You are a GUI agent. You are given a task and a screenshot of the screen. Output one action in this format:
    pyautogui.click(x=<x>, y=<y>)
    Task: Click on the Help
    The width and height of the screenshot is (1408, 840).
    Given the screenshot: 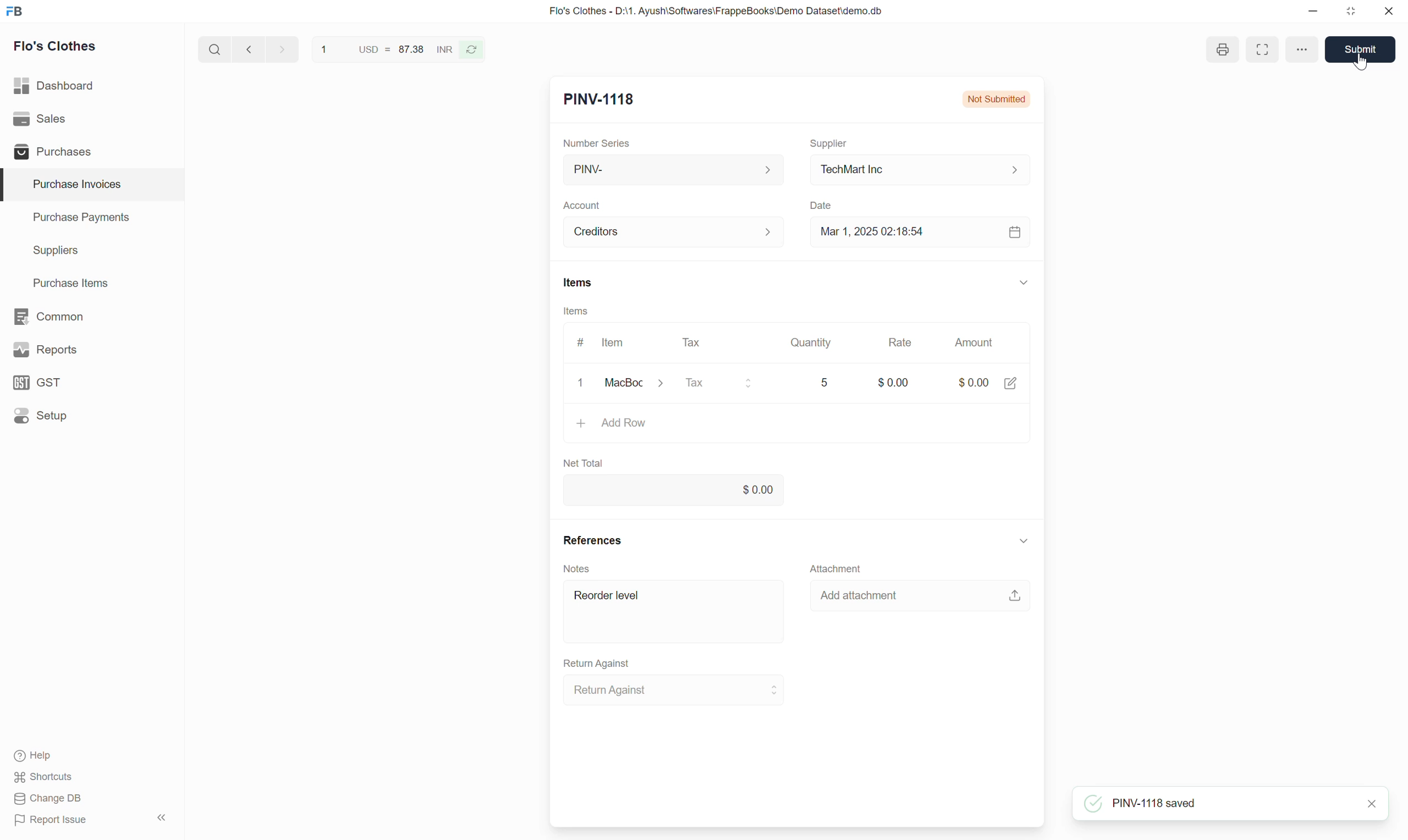 What is the action you would take?
    pyautogui.click(x=38, y=756)
    